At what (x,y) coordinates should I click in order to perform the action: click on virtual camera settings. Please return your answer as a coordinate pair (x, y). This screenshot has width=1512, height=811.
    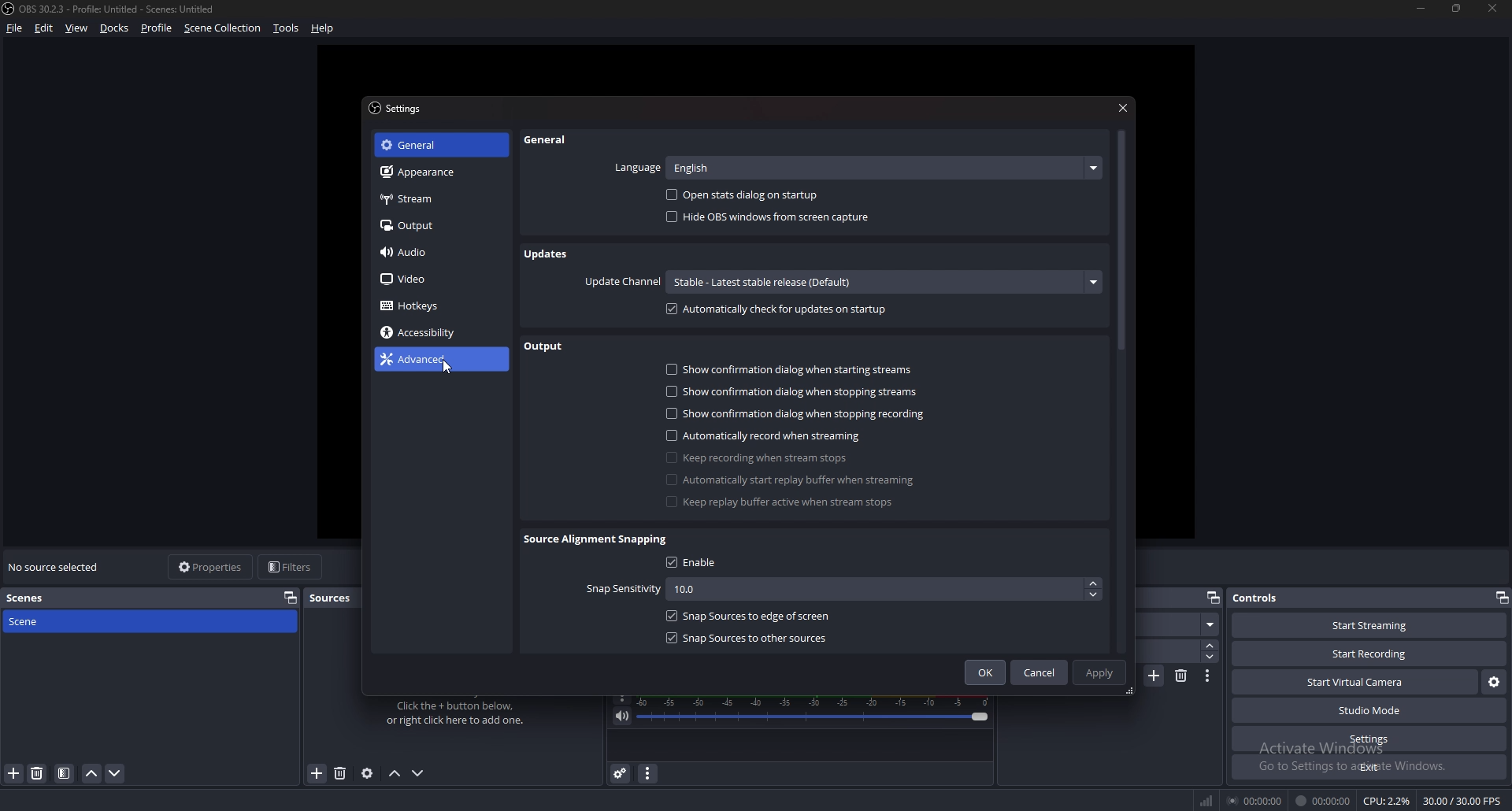
    Looking at the image, I should click on (1492, 683).